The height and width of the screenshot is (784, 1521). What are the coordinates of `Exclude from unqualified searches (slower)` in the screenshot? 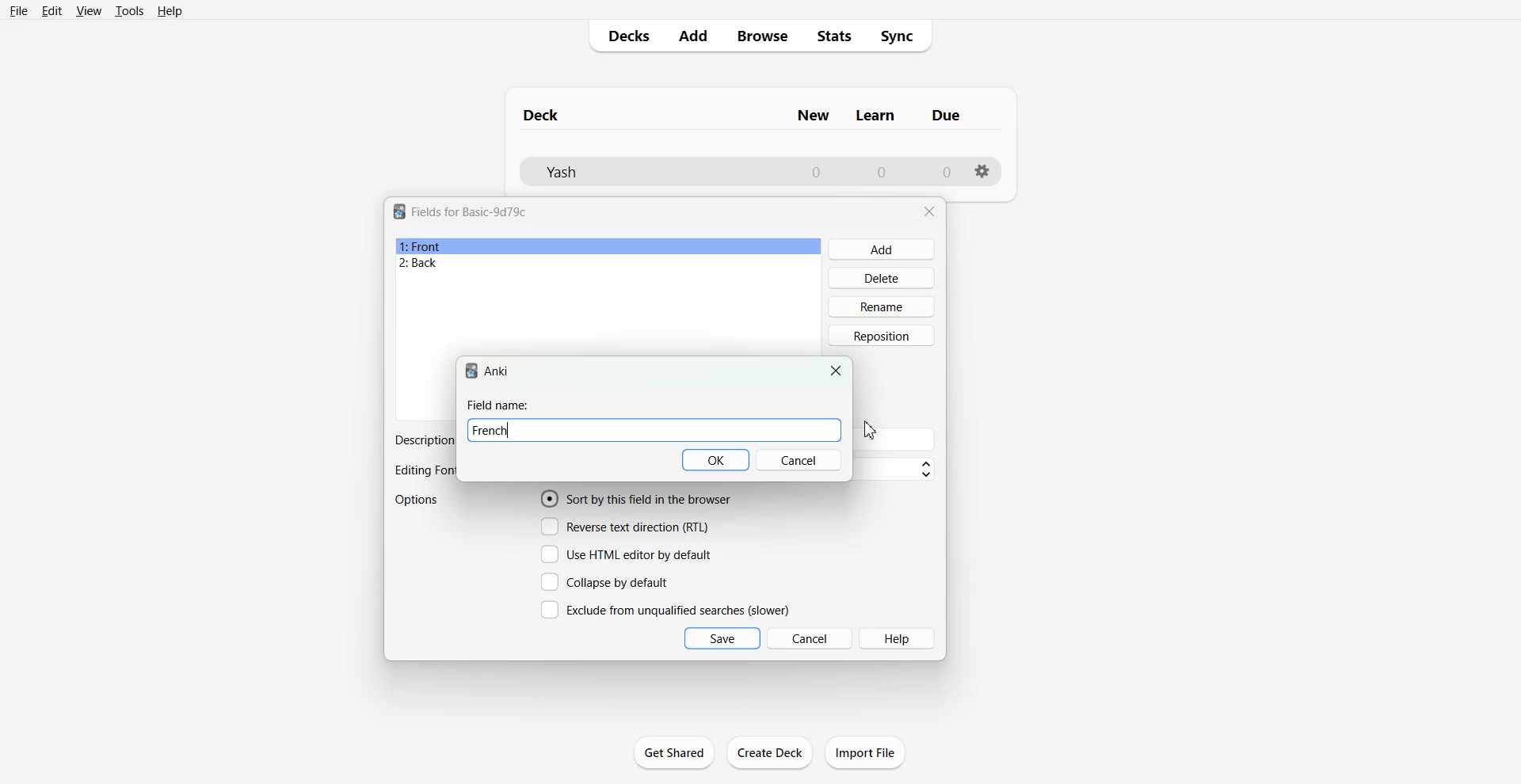 It's located at (665, 609).